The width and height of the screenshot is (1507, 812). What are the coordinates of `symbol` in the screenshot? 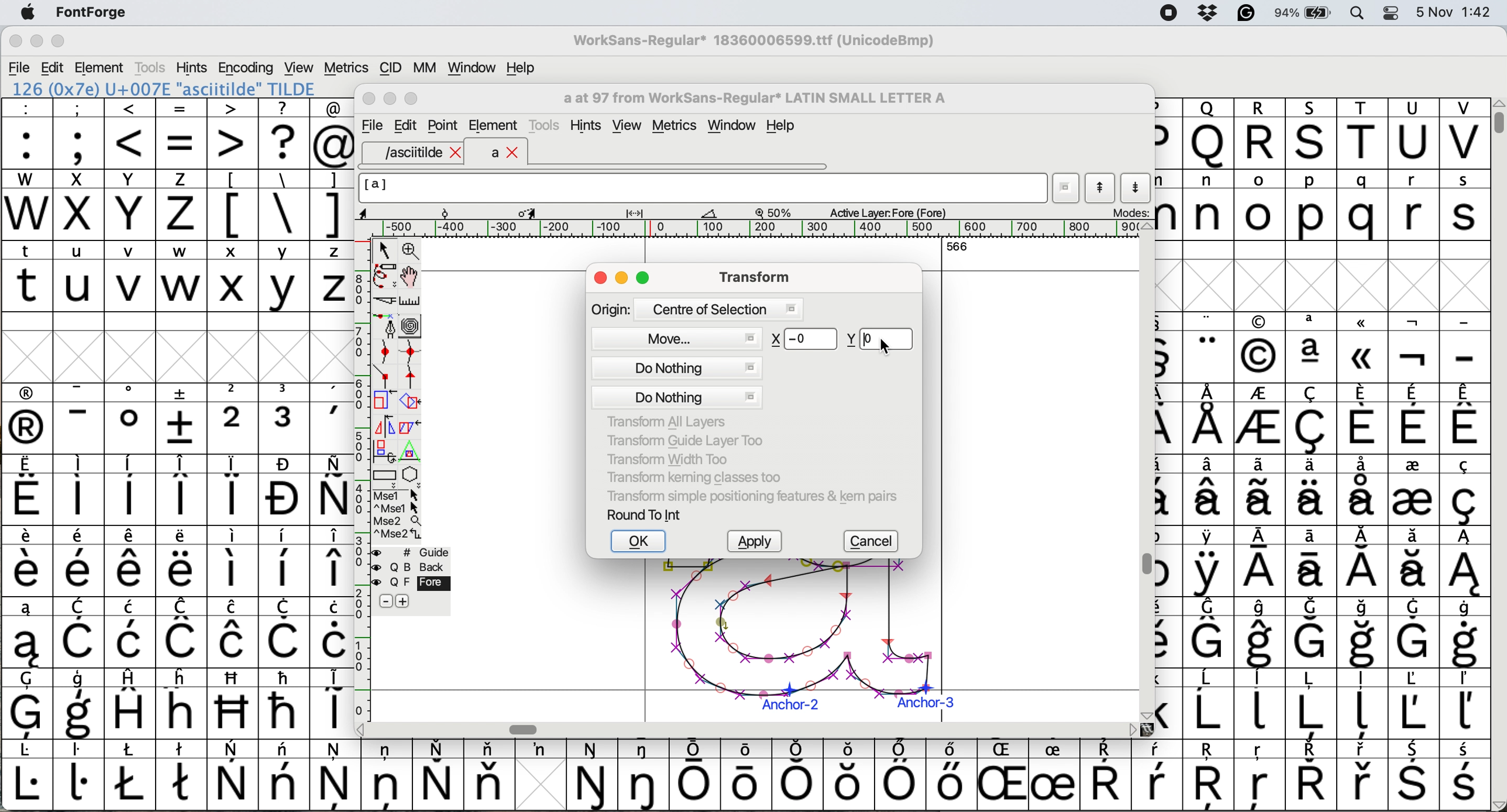 It's located at (130, 775).